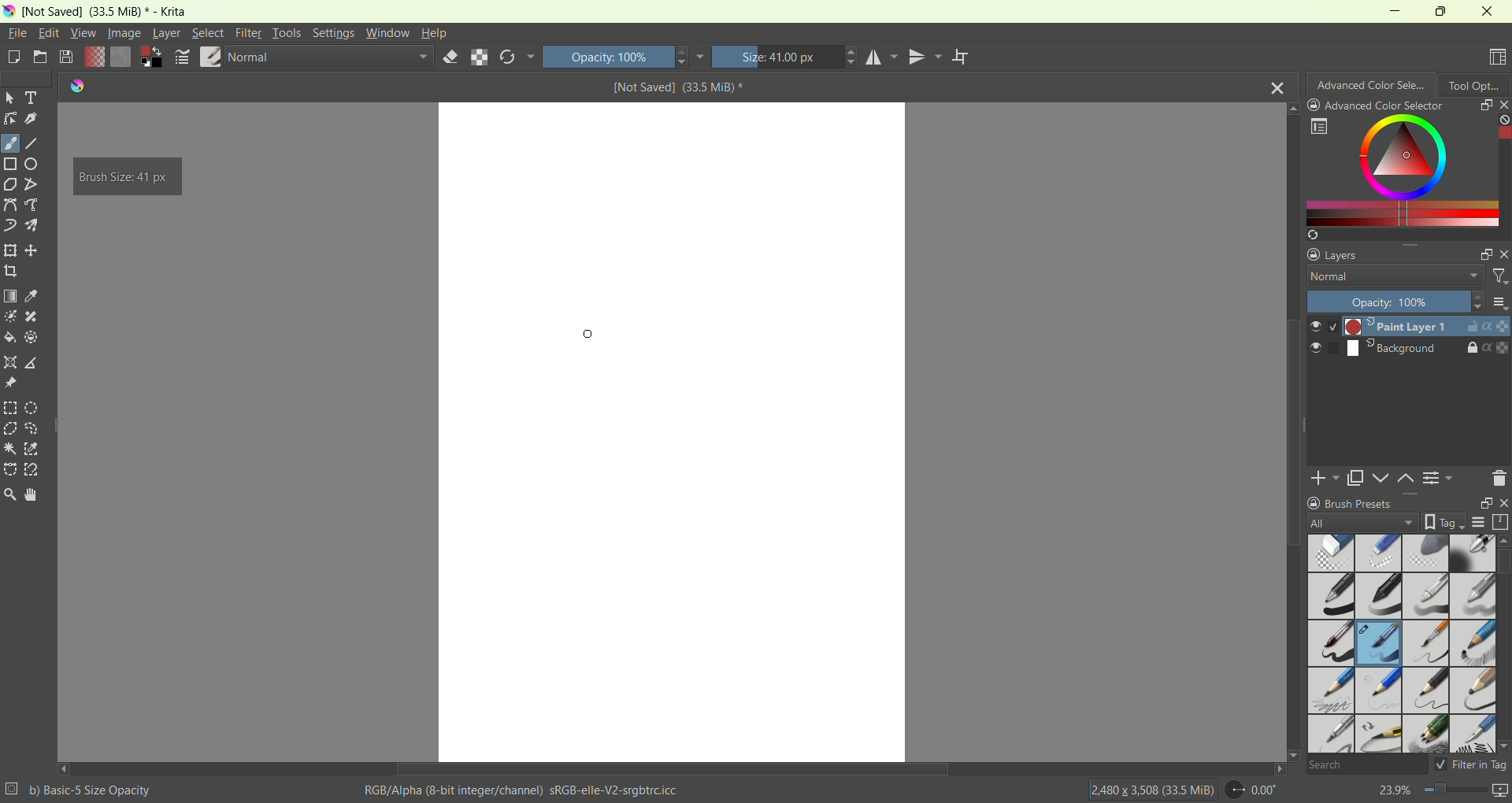 Image resolution: width=1512 pixels, height=803 pixels. Describe the element at coordinates (10, 408) in the screenshot. I see `rectangular selection` at that location.